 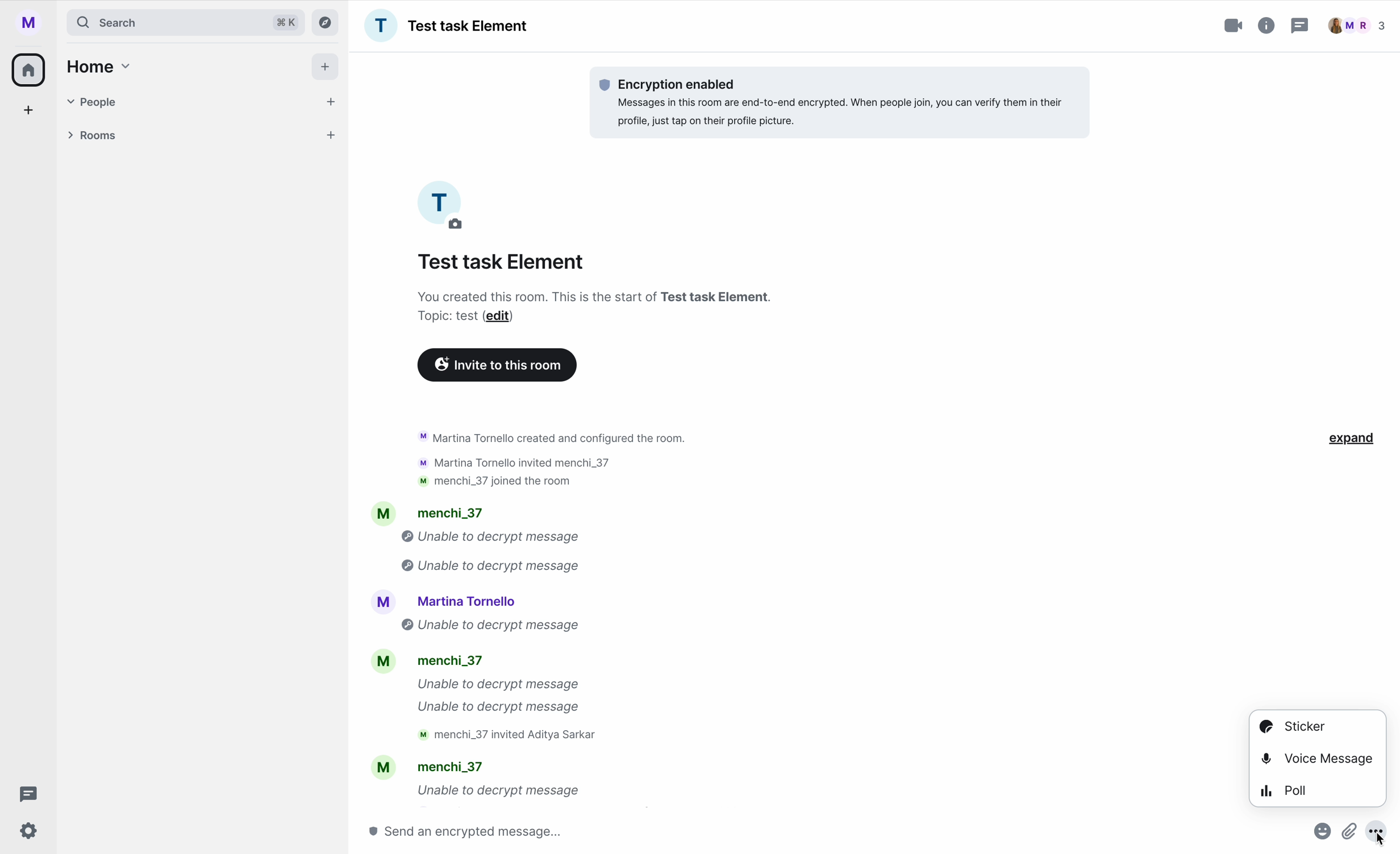 What do you see at coordinates (527, 614) in the screenshot?
I see `activity chat` at bounding box center [527, 614].